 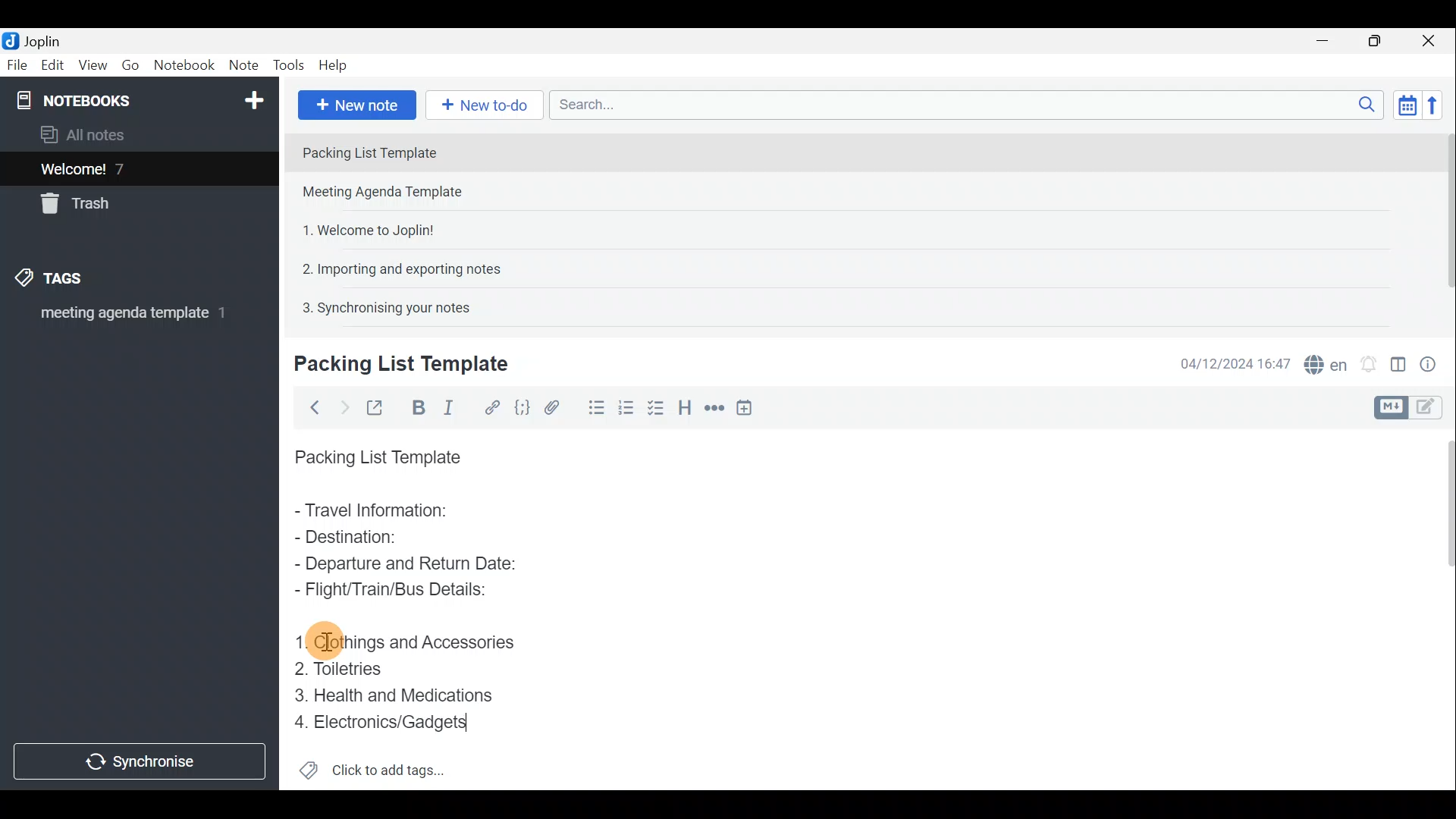 What do you see at coordinates (372, 766) in the screenshot?
I see `Click to add tags` at bounding box center [372, 766].